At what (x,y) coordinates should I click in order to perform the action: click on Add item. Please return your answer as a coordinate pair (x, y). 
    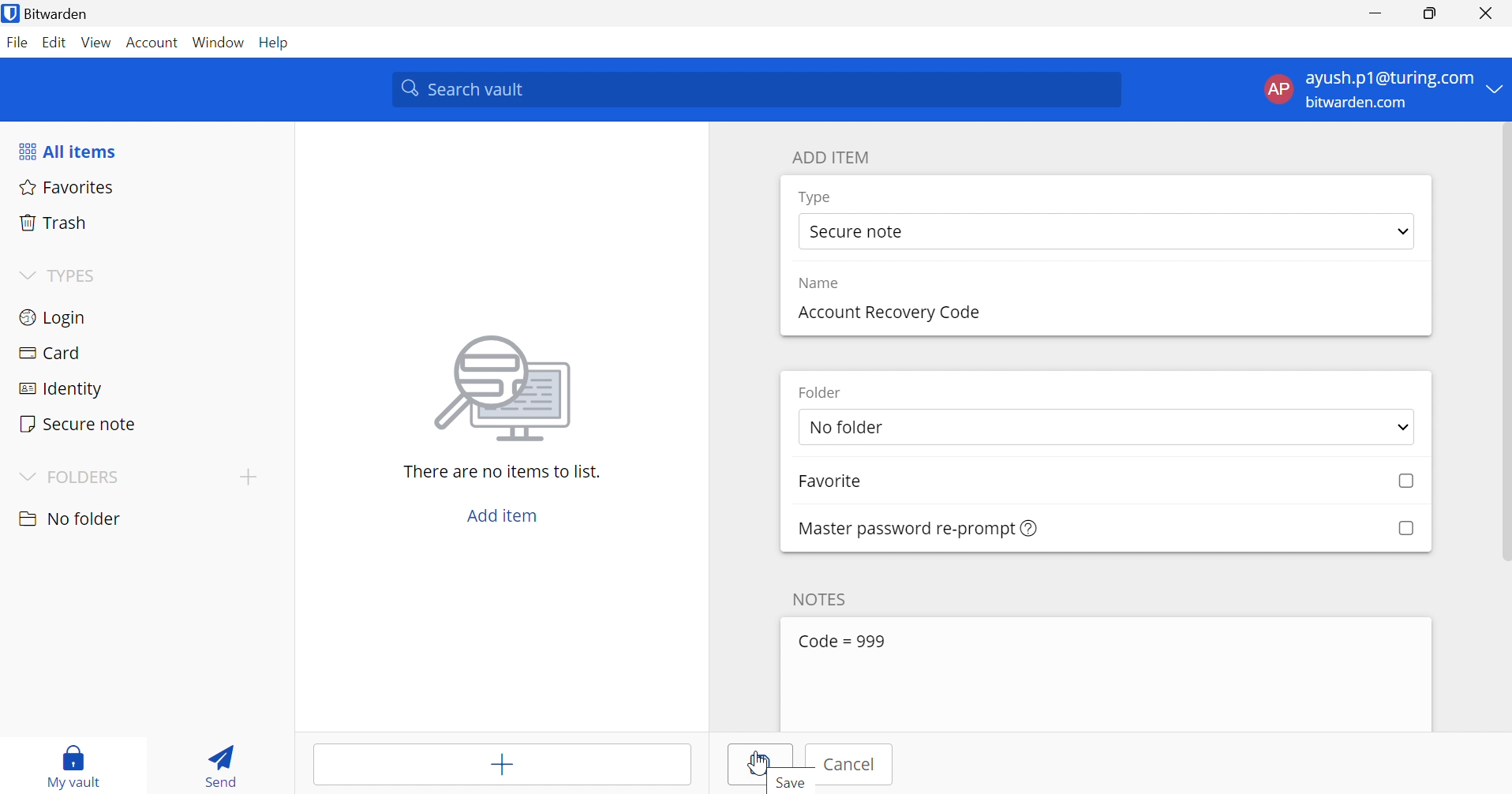
    Looking at the image, I should click on (501, 516).